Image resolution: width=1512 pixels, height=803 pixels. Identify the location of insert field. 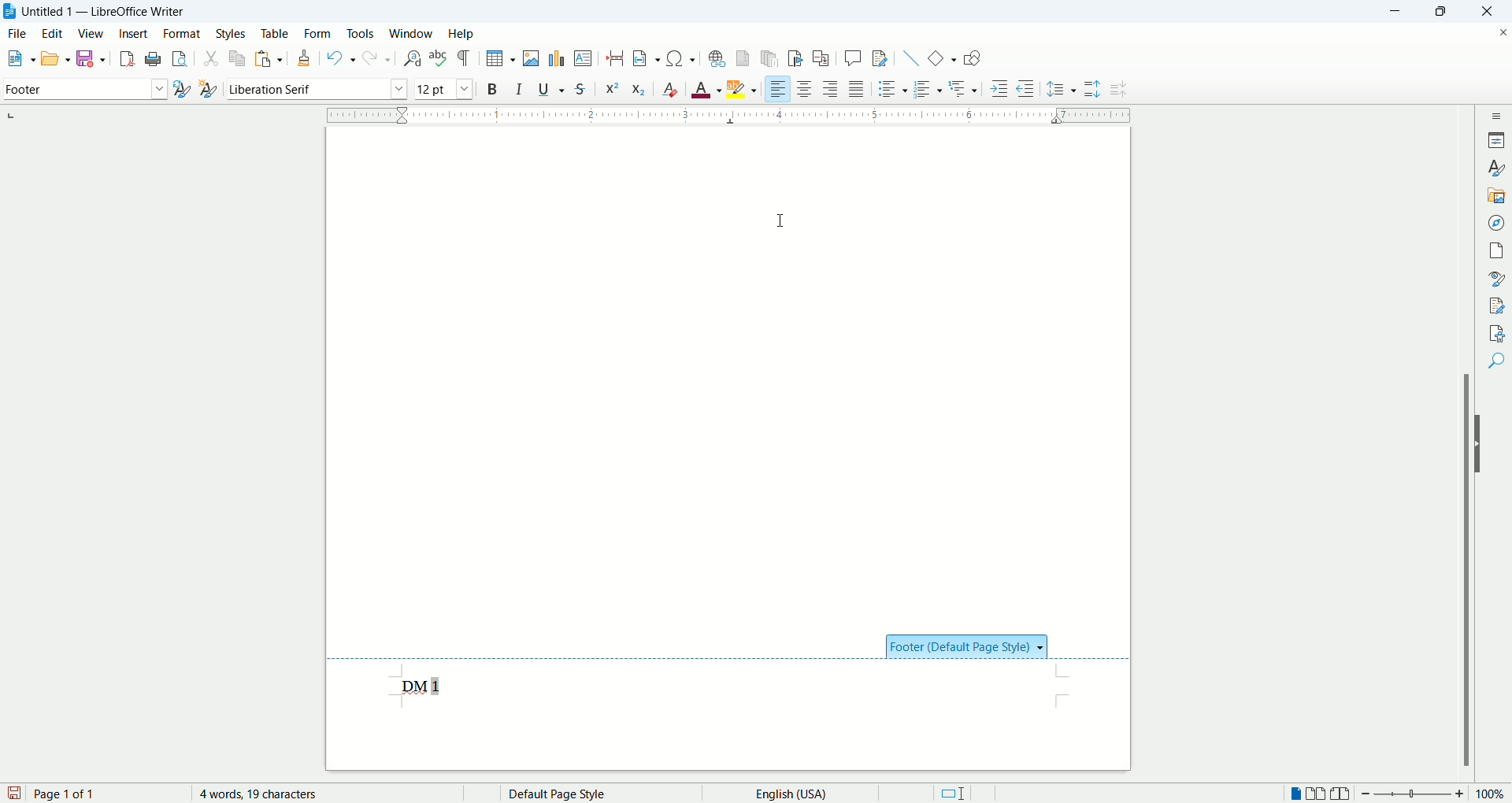
(646, 59).